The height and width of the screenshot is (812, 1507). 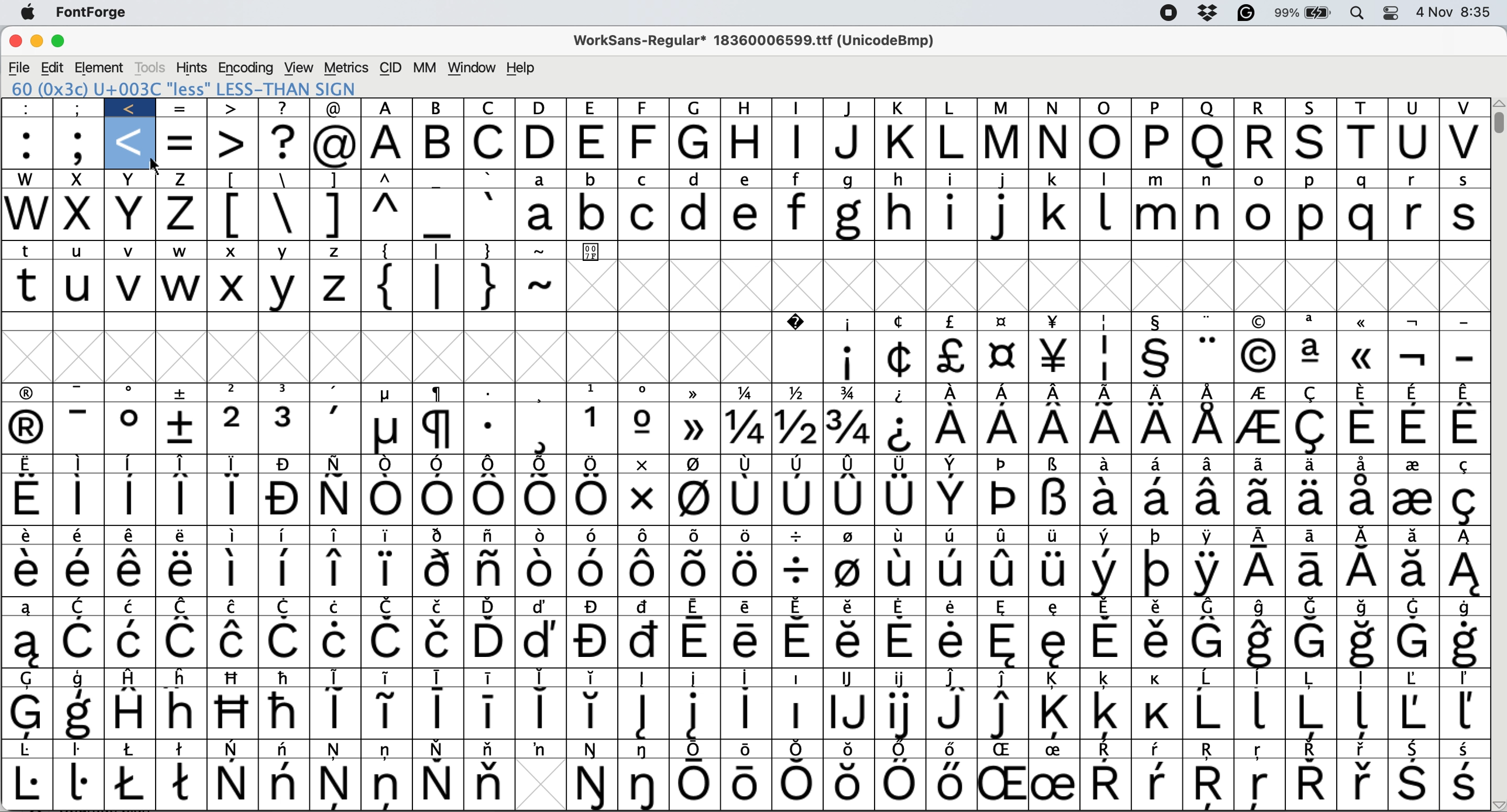 I want to click on Symbol, so click(x=952, y=322).